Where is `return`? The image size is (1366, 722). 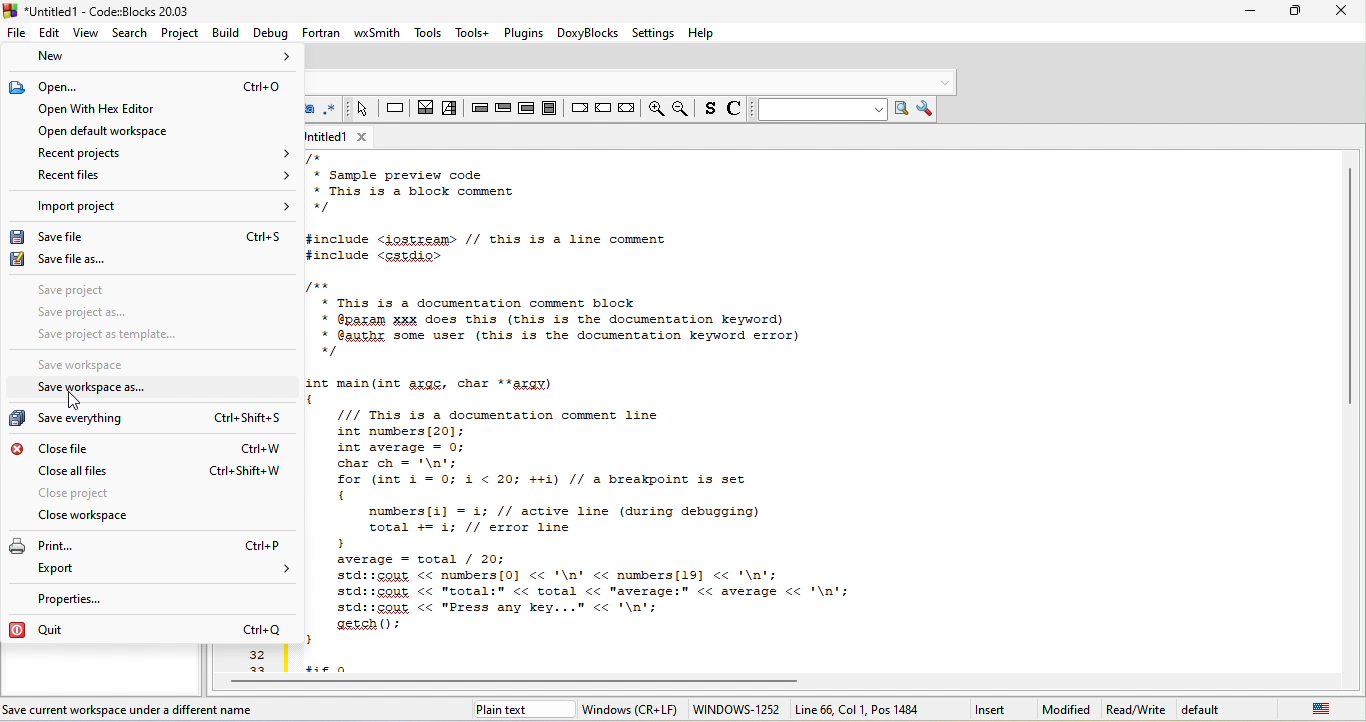 return is located at coordinates (625, 109).